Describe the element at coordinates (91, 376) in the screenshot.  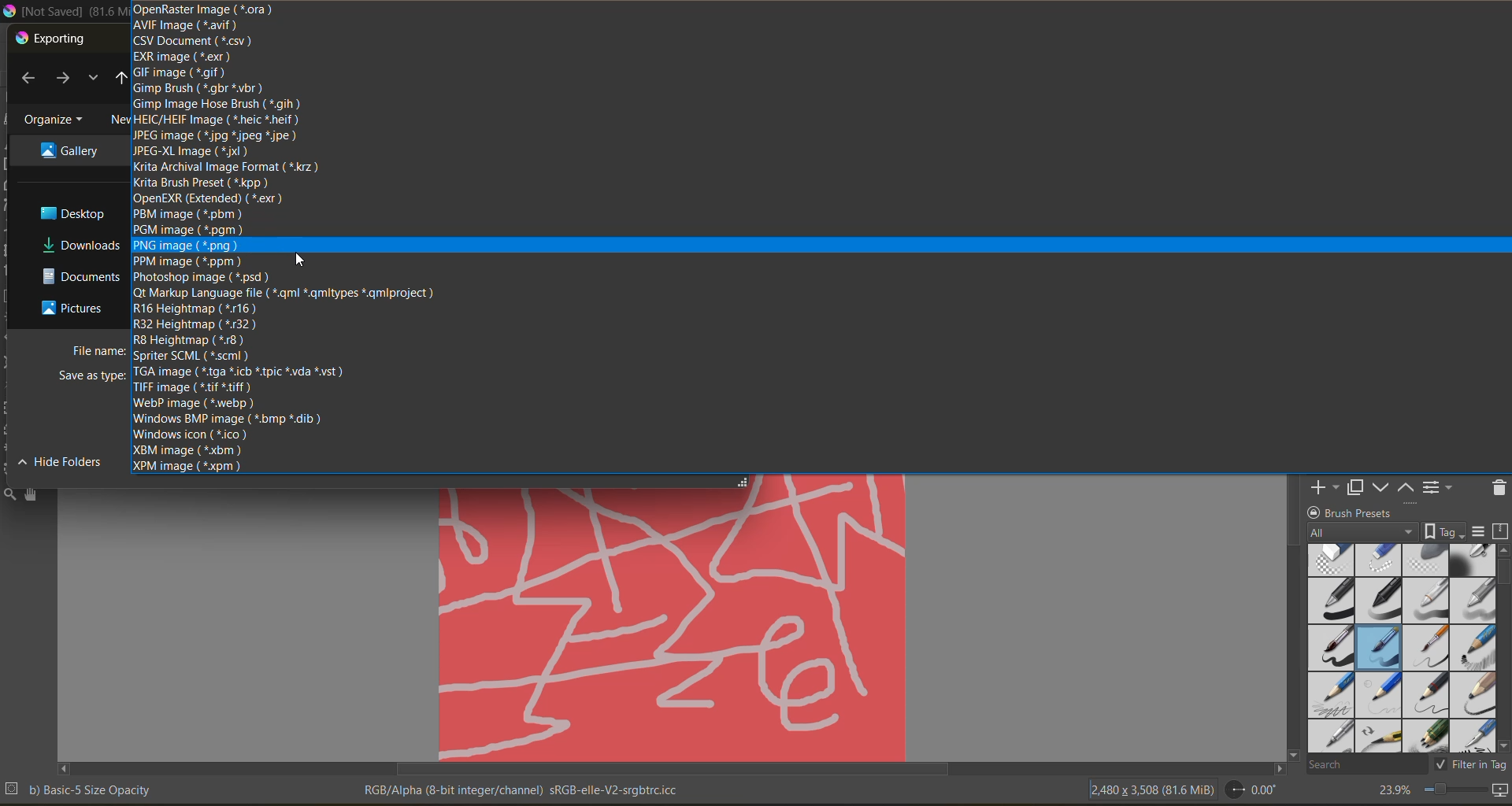
I see `save as type` at that location.